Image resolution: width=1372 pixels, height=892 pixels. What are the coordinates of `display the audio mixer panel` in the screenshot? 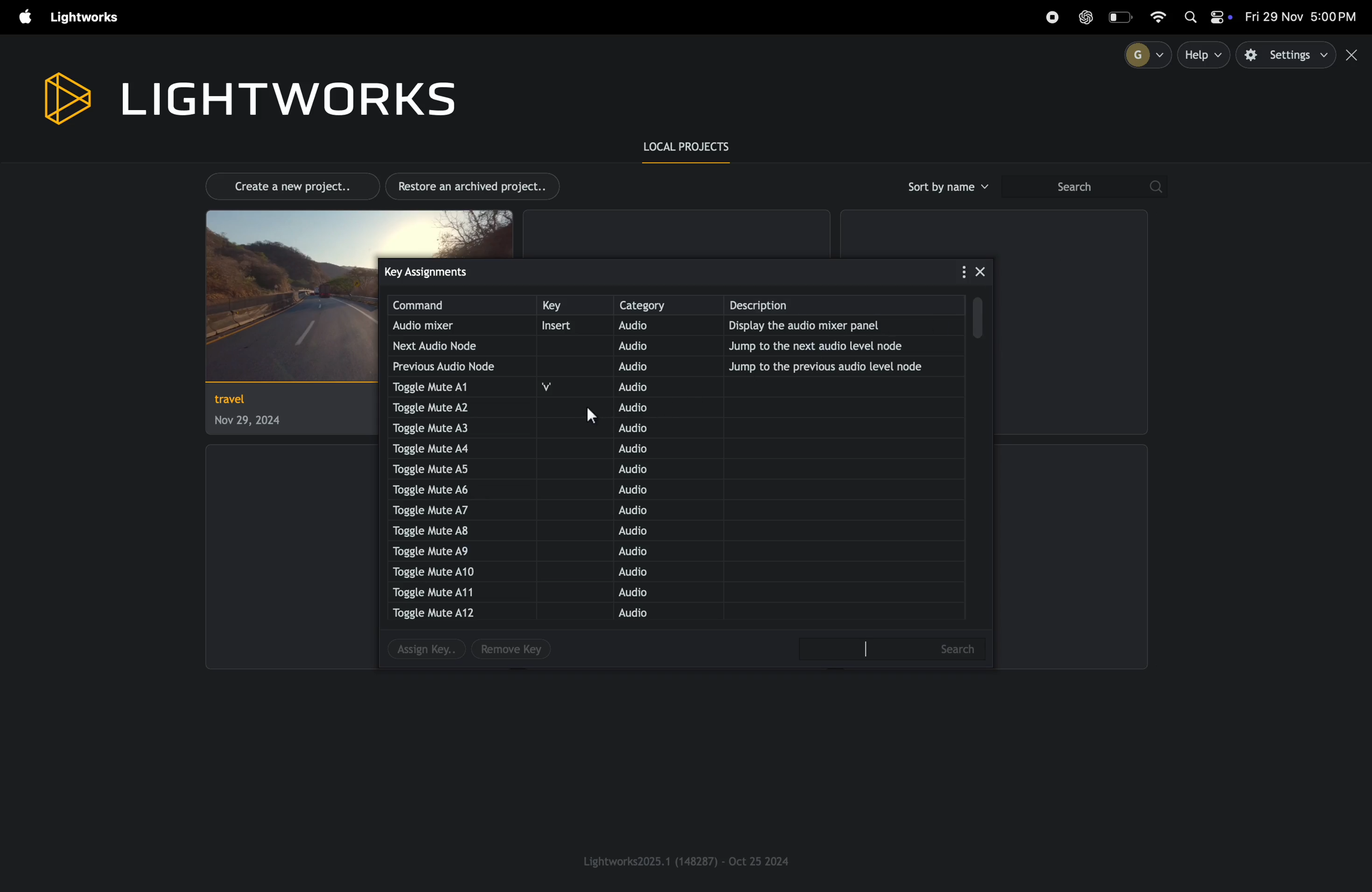 It's located at (836, 327).